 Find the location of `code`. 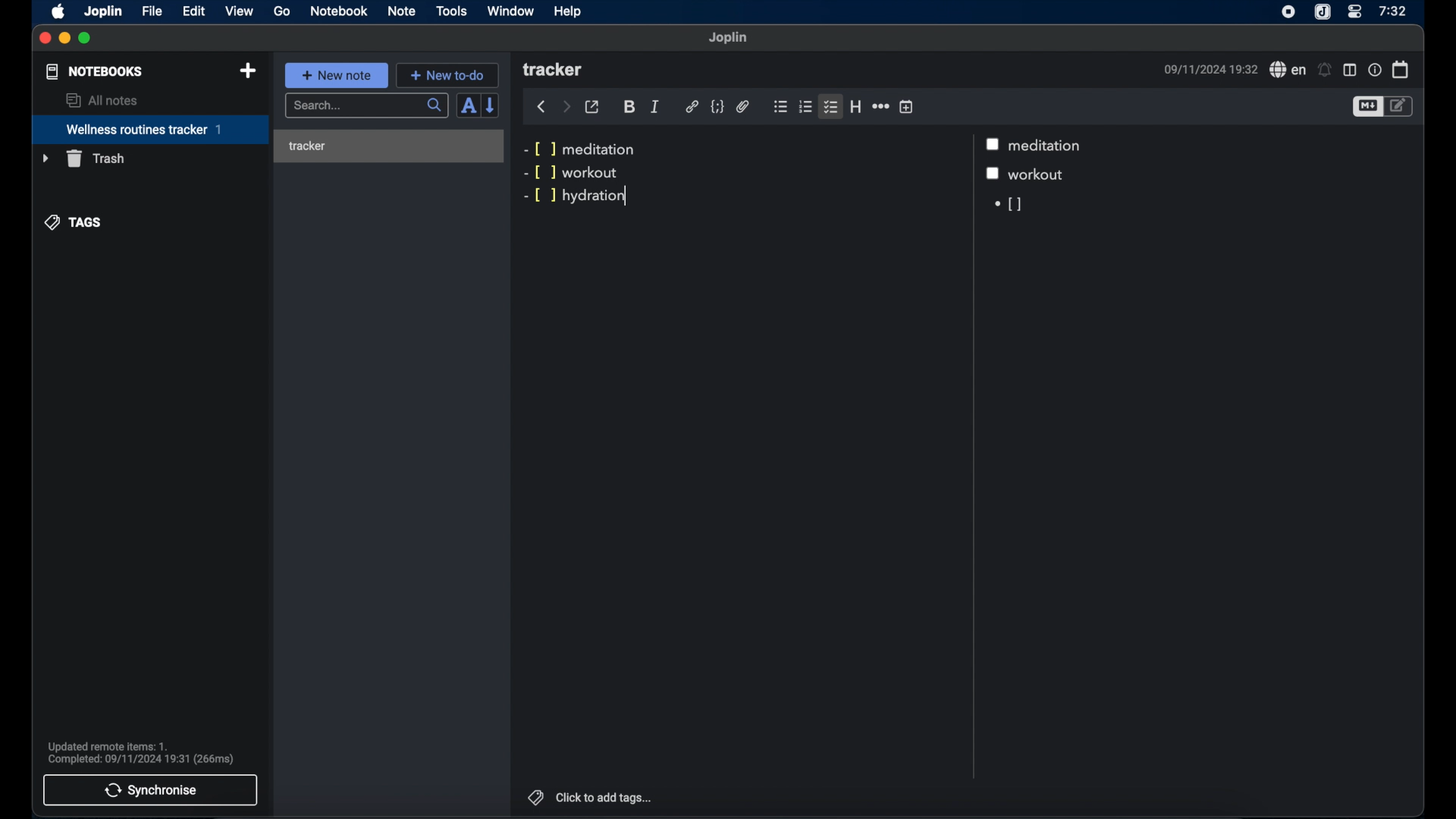

code is located at coordinates (717, 107).